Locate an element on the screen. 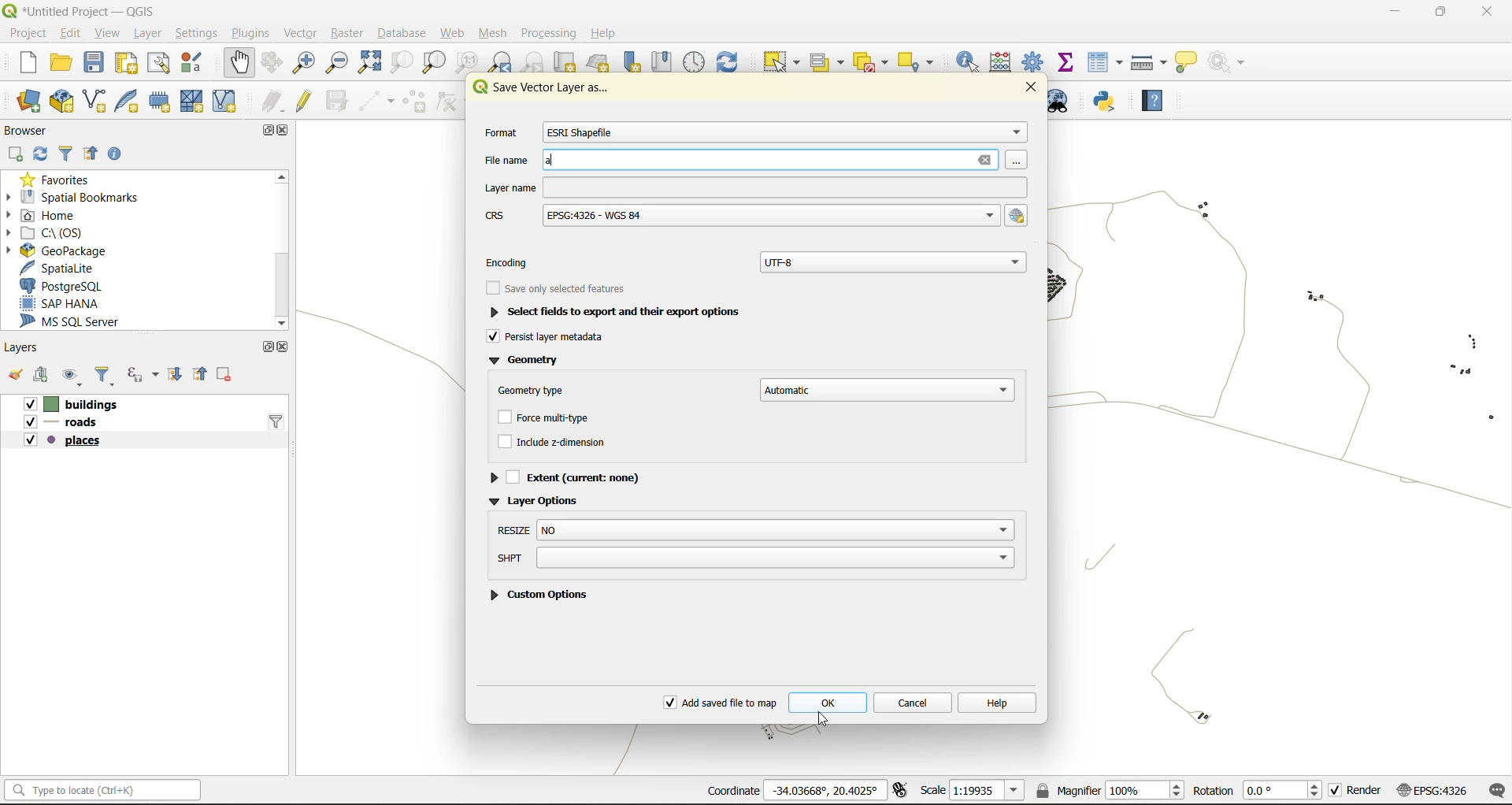  new geopackage layer is located at coordinates (61, 102).